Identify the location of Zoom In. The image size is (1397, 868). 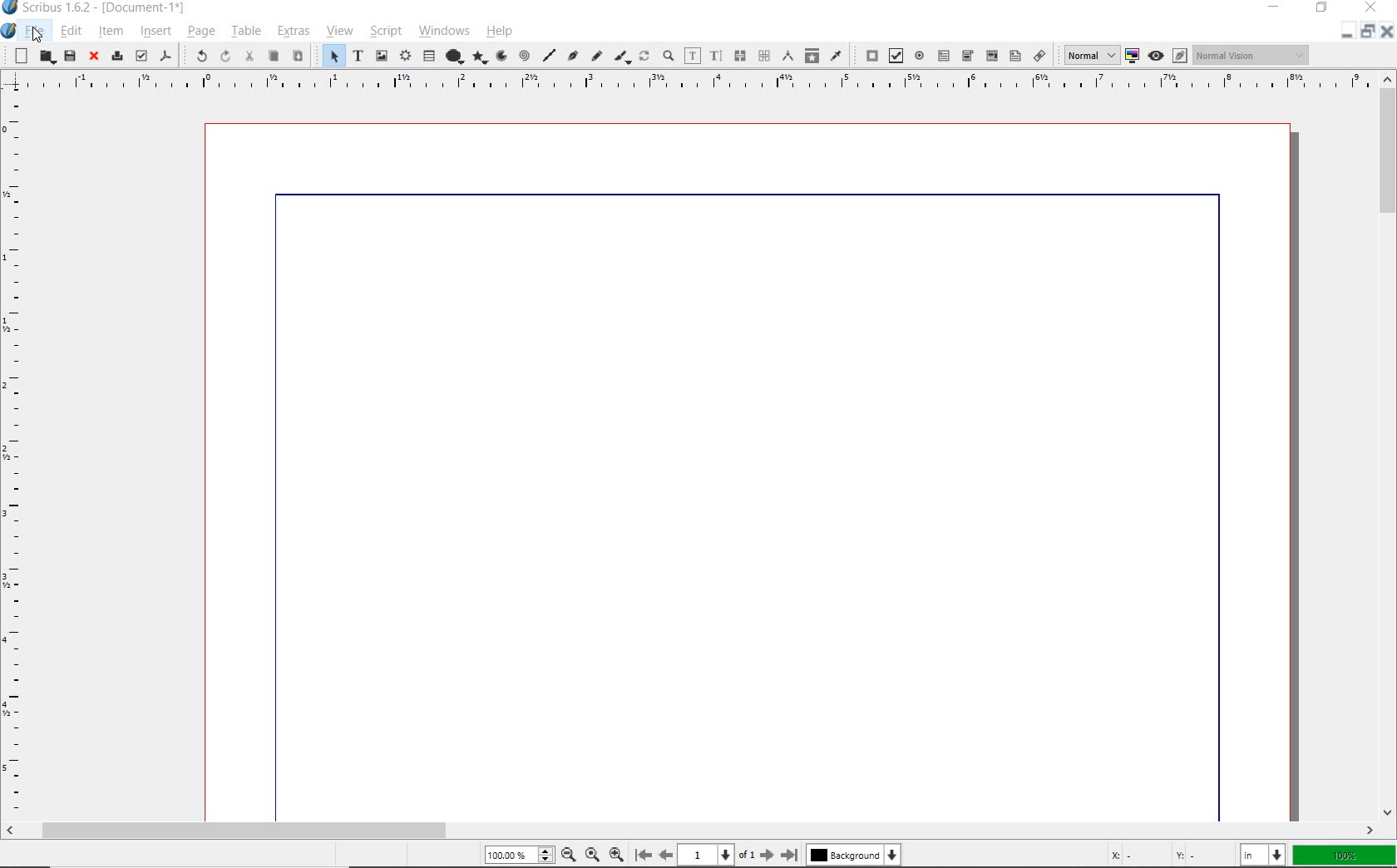
(616, 856).